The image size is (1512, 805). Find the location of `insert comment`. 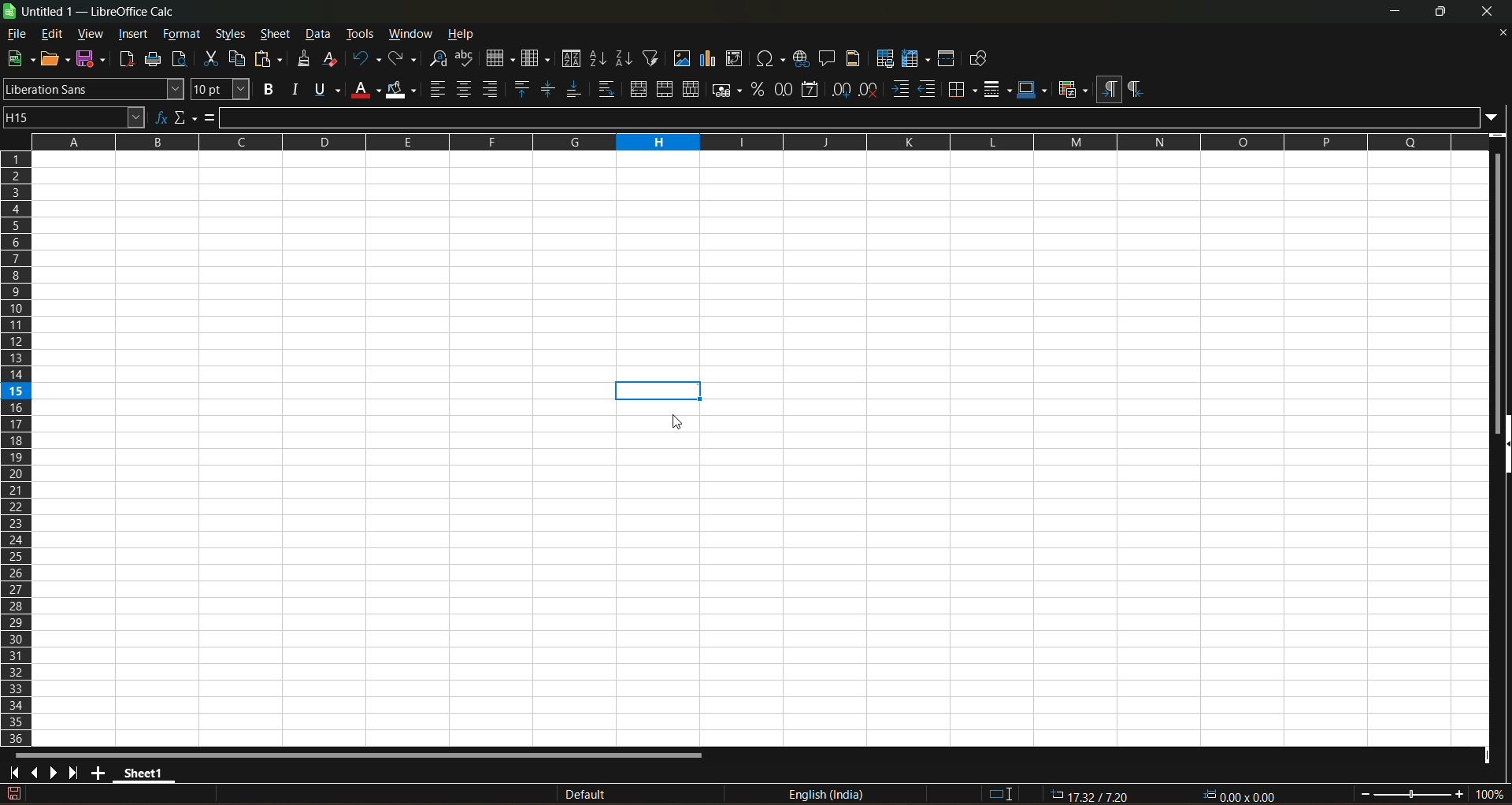

insert comment is located at coordinates (829, 58).